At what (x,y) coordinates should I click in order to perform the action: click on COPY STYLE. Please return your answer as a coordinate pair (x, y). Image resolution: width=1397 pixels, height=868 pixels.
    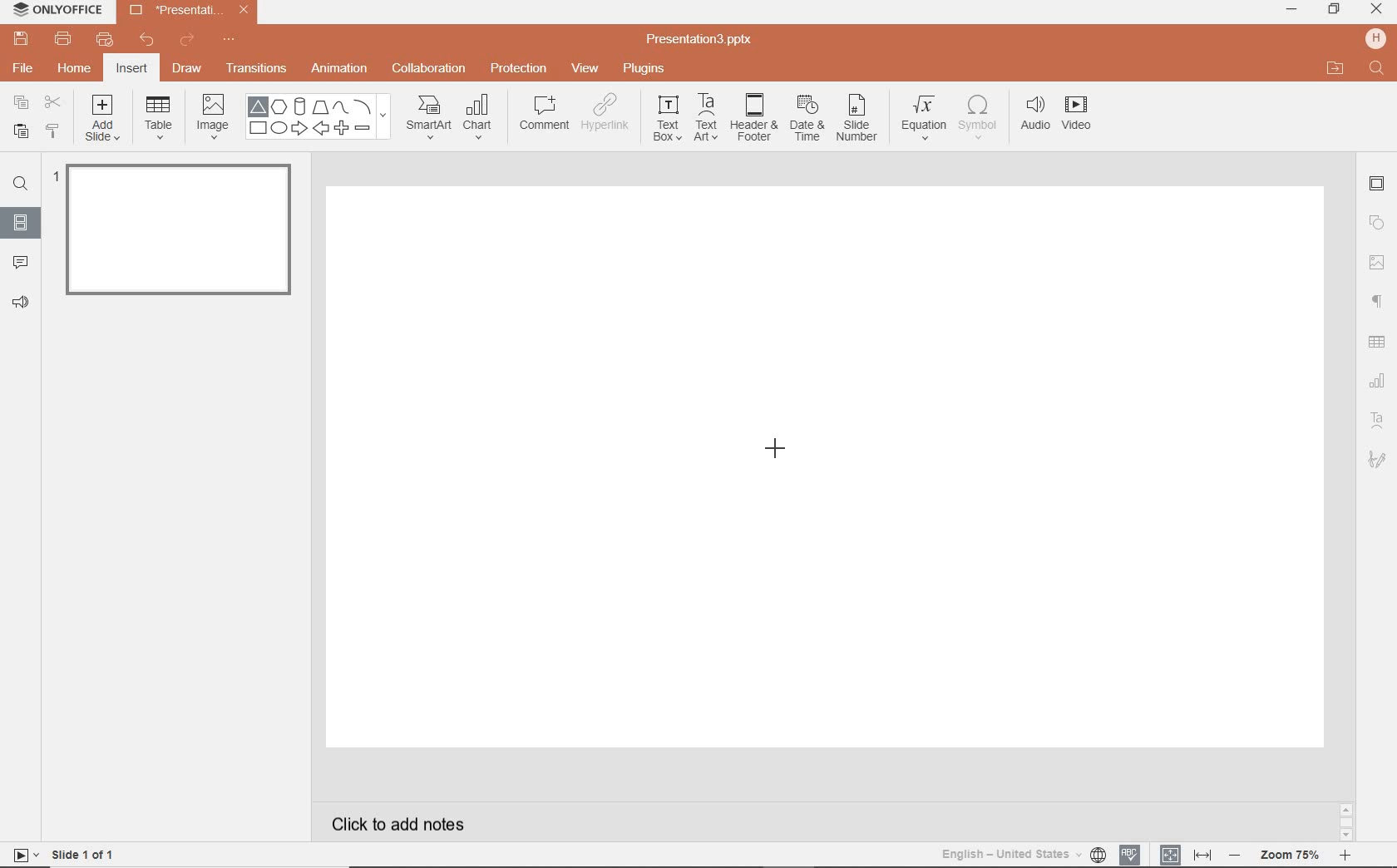
    Looking at the image, I should click on (54, 131).